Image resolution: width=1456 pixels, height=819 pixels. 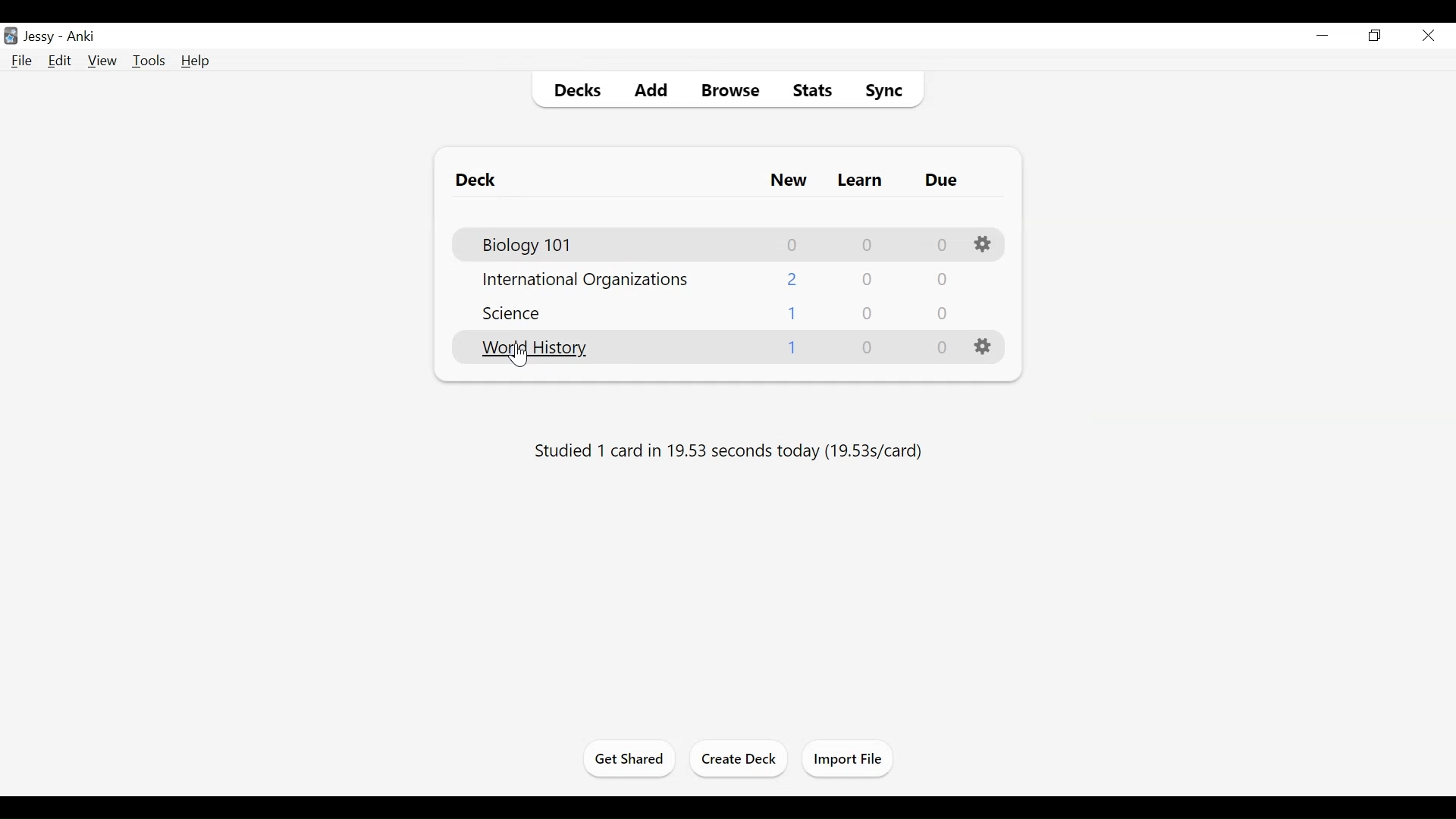 What do you see at coordinates (21, 61) in the screenshot?
I see `File` at bounding box center [21, 61].